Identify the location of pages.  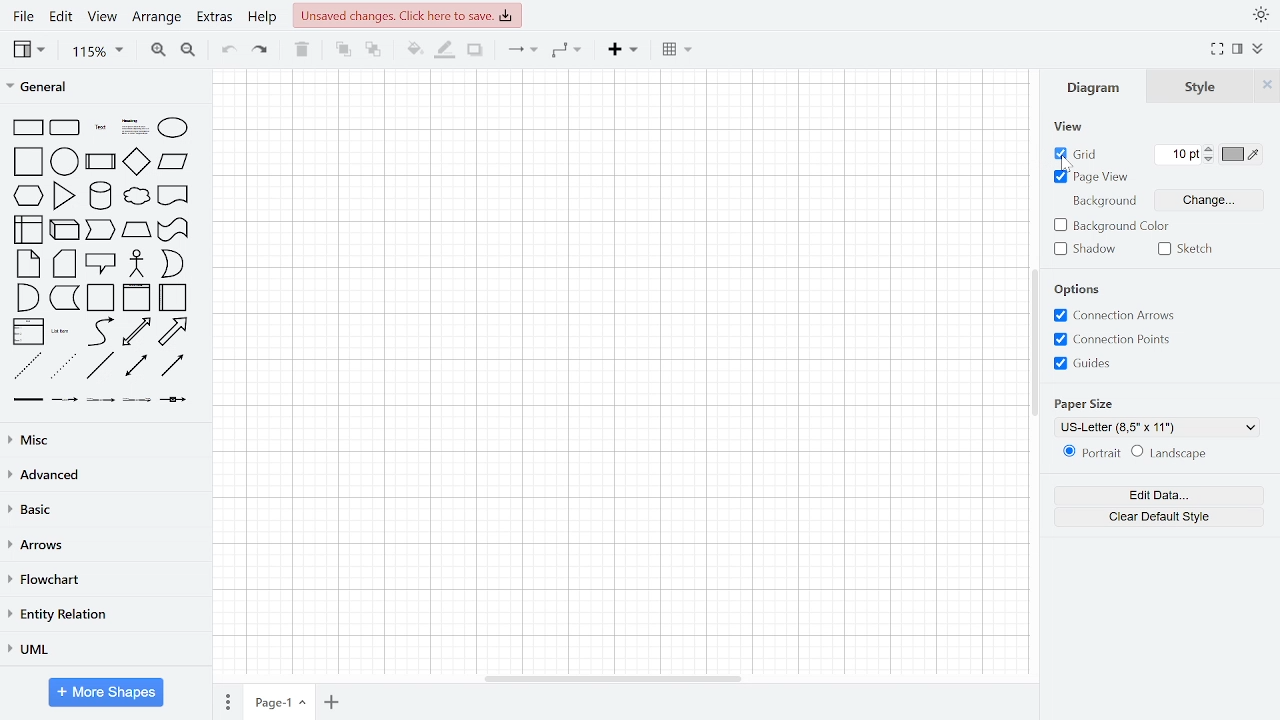
(226, 701).